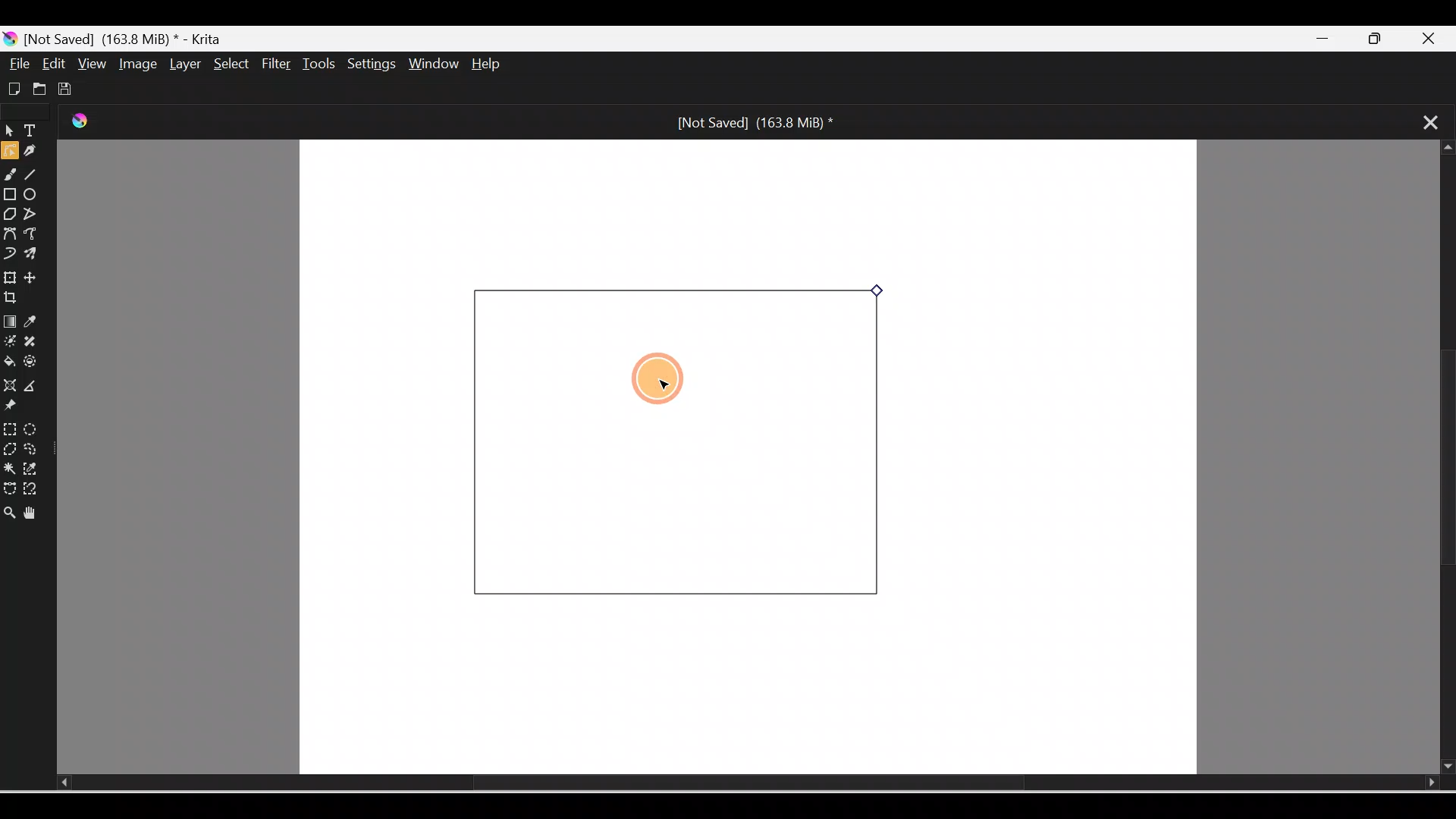 This screenshot has width=1456, height=819. I want to click on Transform a layer/selection, so click(10, 275).